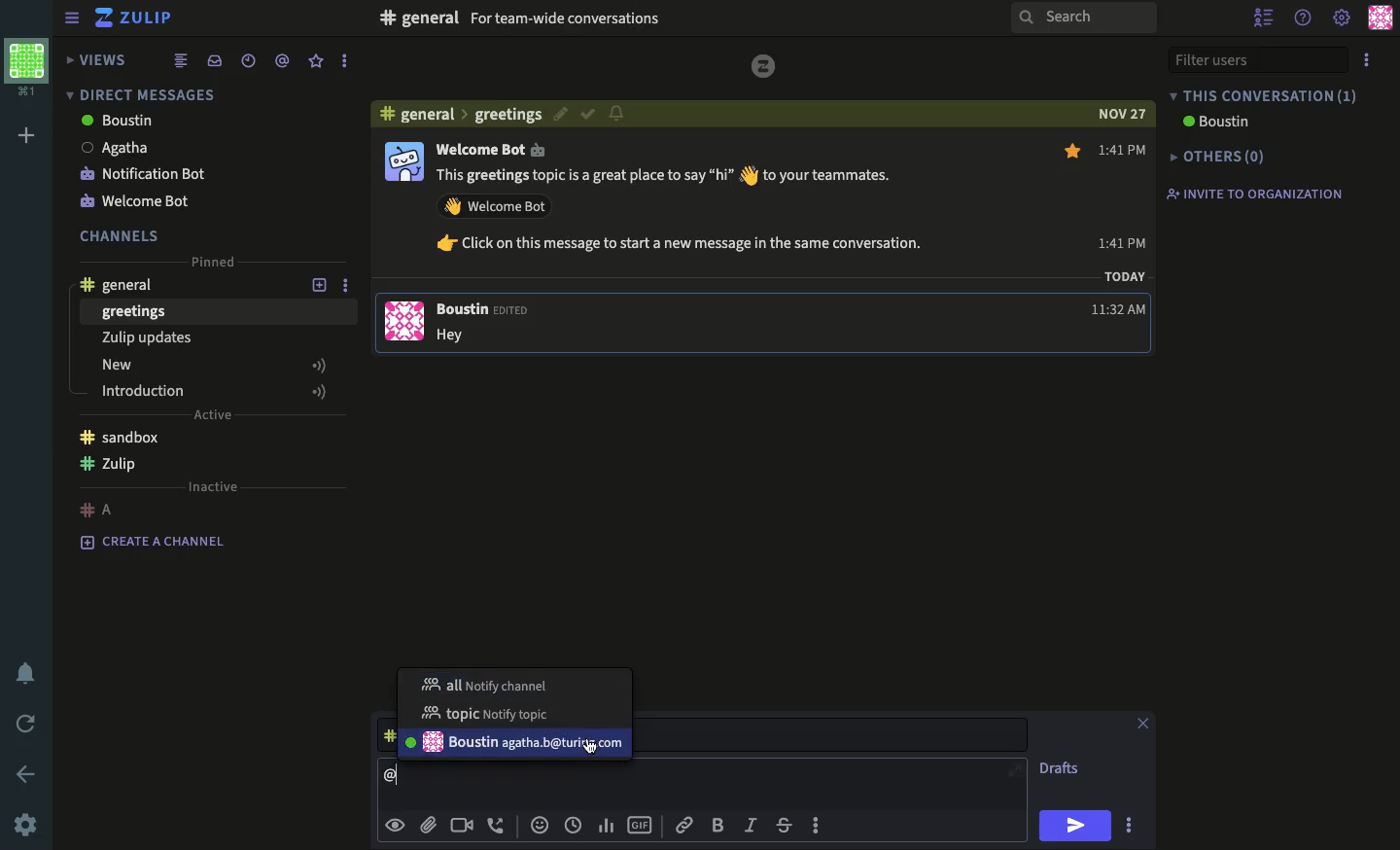 This screenshot has height=850, width=1400. Describe the element at coordinates (497, 825) in the screenshot. I see `audio call` at that location.